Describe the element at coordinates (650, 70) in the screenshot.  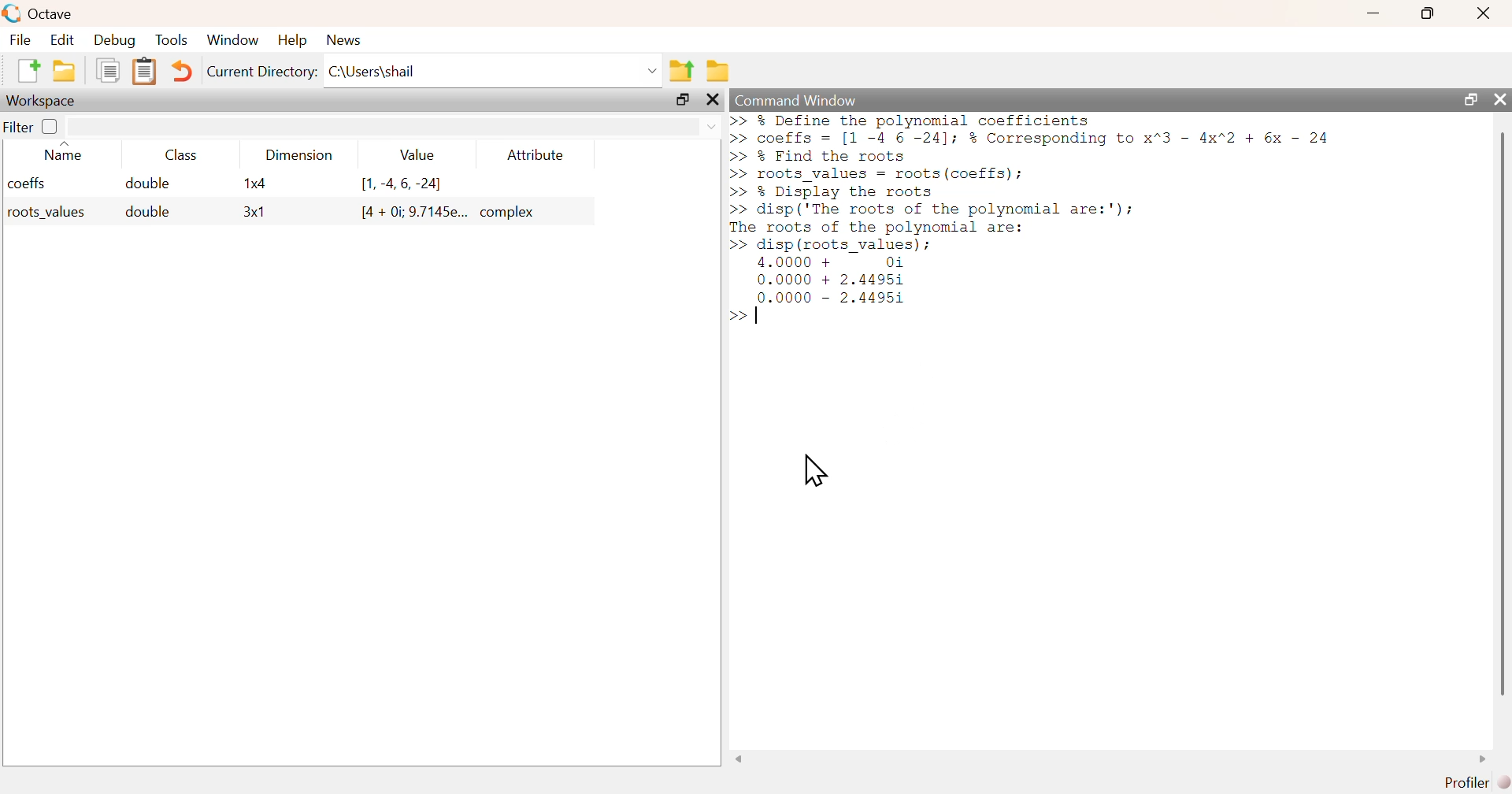
I see `dropdown` at that location.